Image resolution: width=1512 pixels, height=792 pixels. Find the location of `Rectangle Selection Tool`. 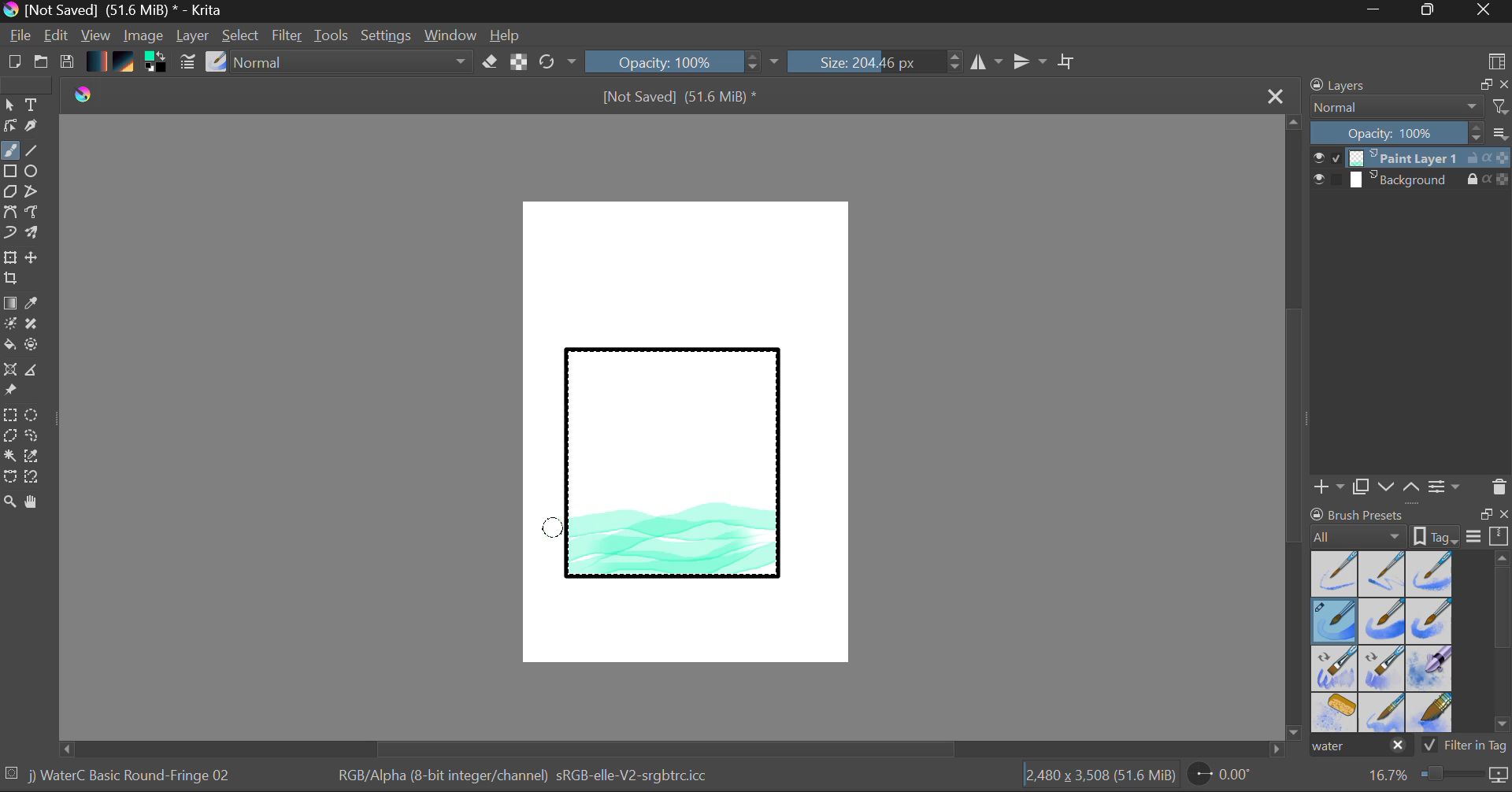

Rectangle Selection Tool is located at coordinates (9, 417).